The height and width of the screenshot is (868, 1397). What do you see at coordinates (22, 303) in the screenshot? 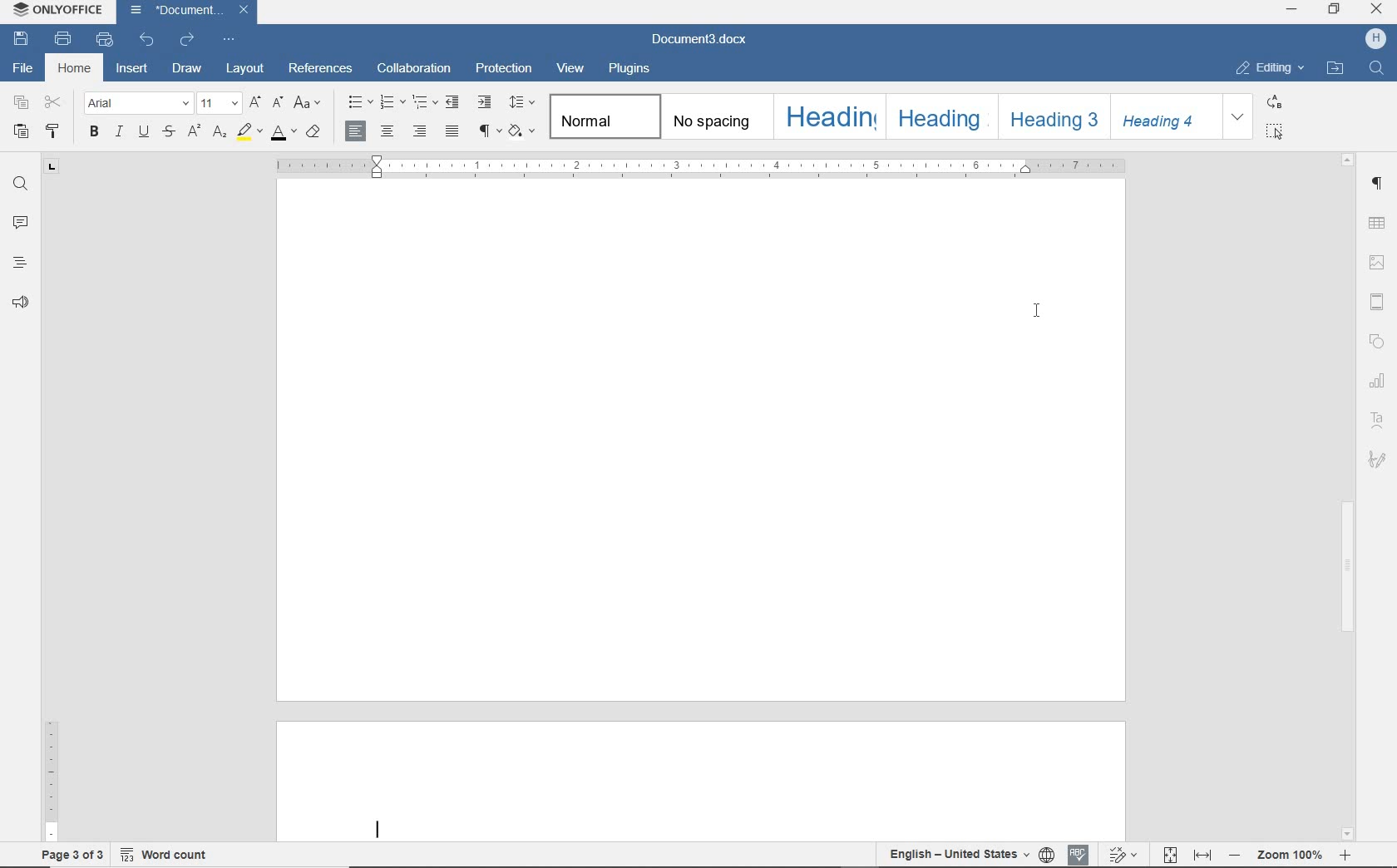
I see `Read aloud and accessibility` at bounding box center [22, 303].